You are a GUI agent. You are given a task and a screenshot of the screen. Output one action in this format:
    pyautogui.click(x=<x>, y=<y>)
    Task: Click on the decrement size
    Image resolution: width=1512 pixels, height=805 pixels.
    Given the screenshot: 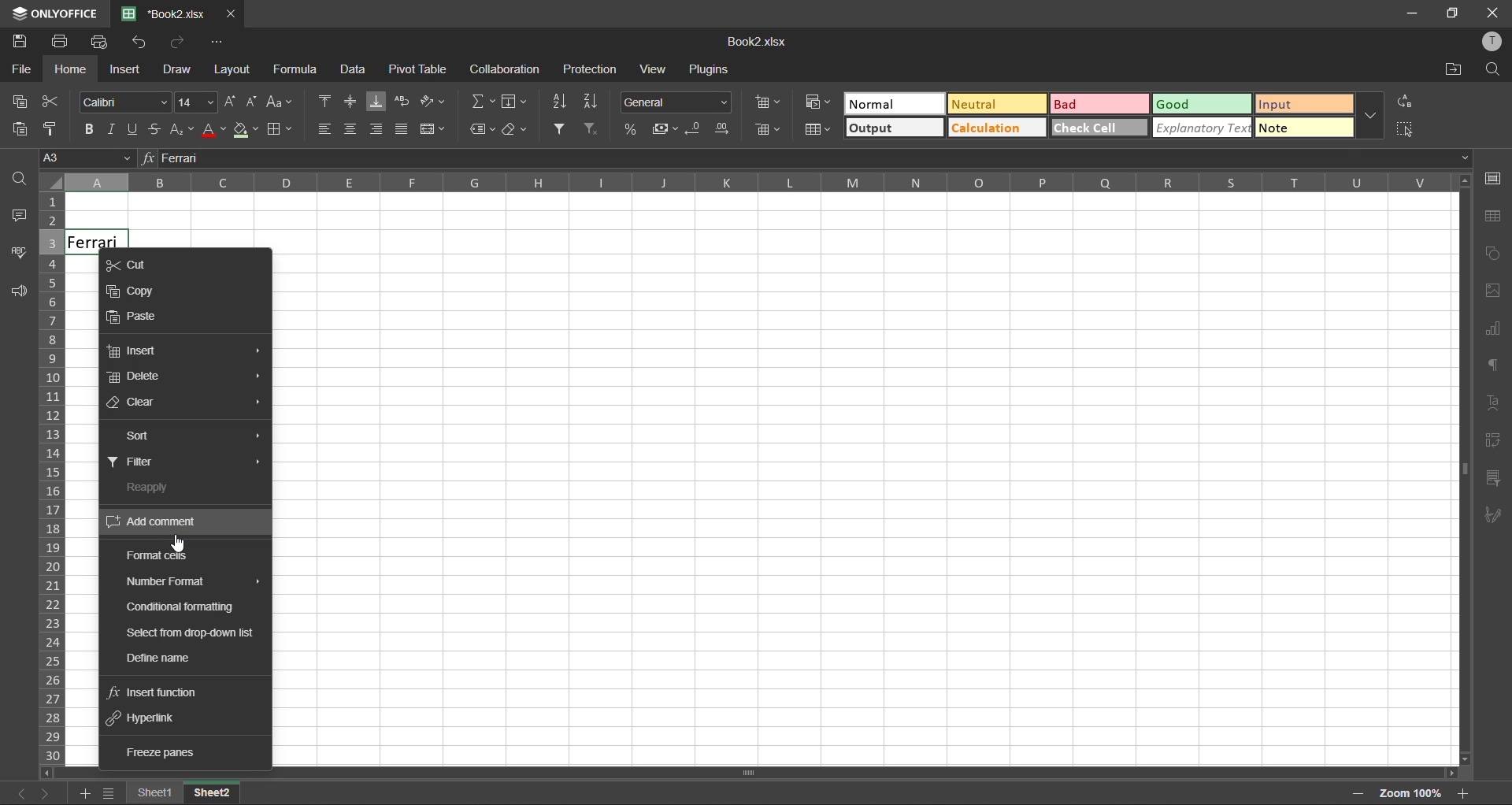 What is the action you would take?
    pyautogui.click(x=254, y=104)
    